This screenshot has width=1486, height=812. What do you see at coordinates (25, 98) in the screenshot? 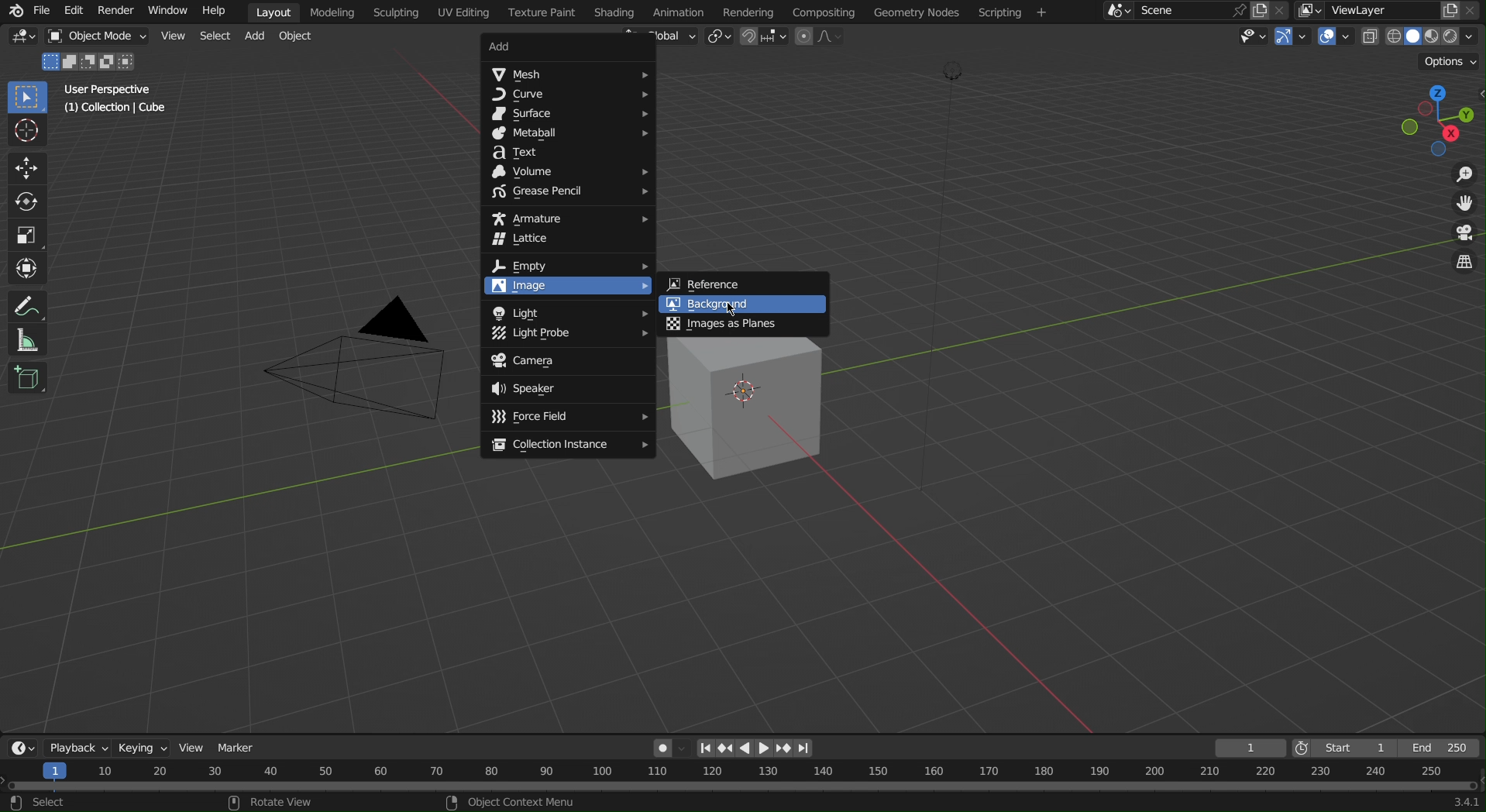
I see `Select Box` at bounding box center [25, 98].